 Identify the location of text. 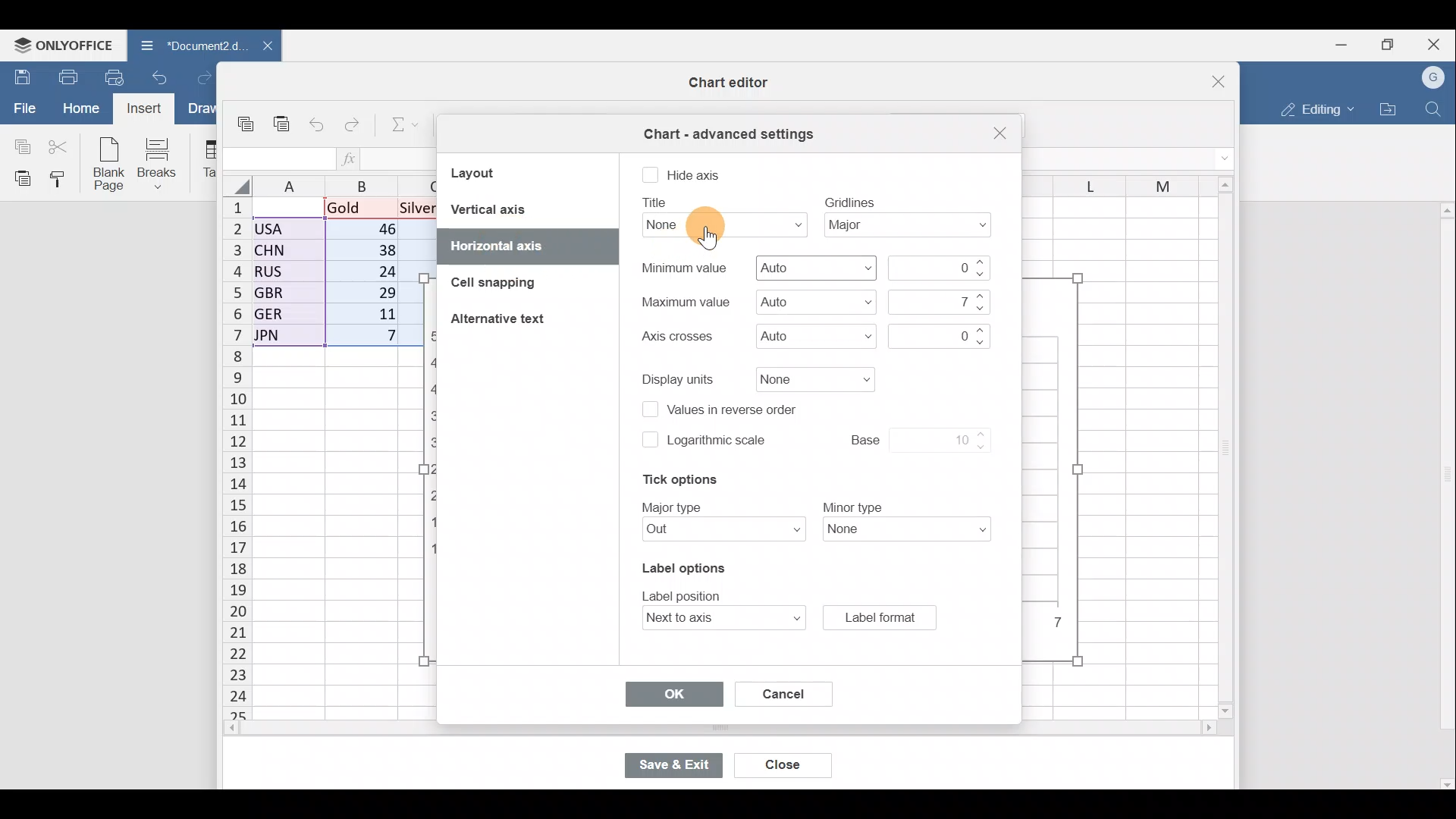
(683, 268).